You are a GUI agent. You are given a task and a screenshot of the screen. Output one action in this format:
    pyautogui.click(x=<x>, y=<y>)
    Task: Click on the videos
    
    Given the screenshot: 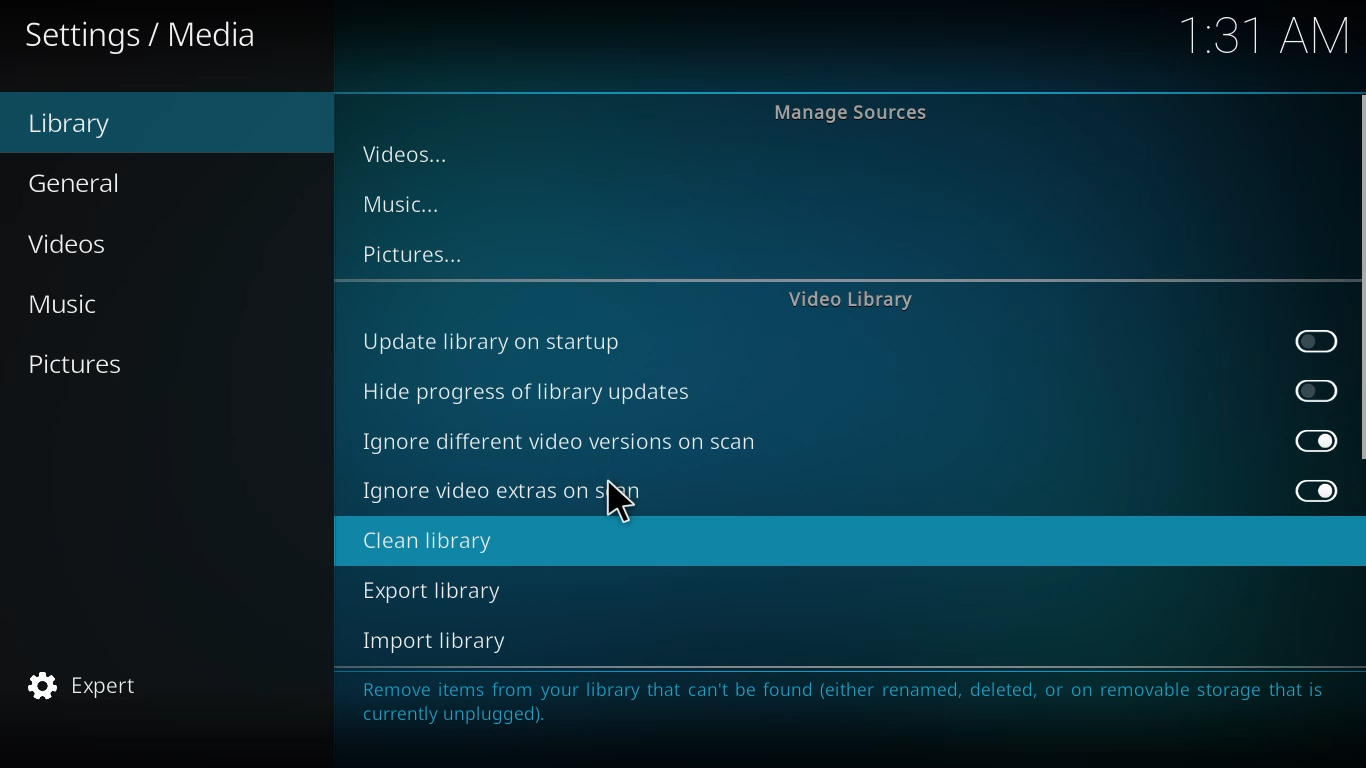 What is the action you would take?
    pyautogui.click(x=409, y=154)
    